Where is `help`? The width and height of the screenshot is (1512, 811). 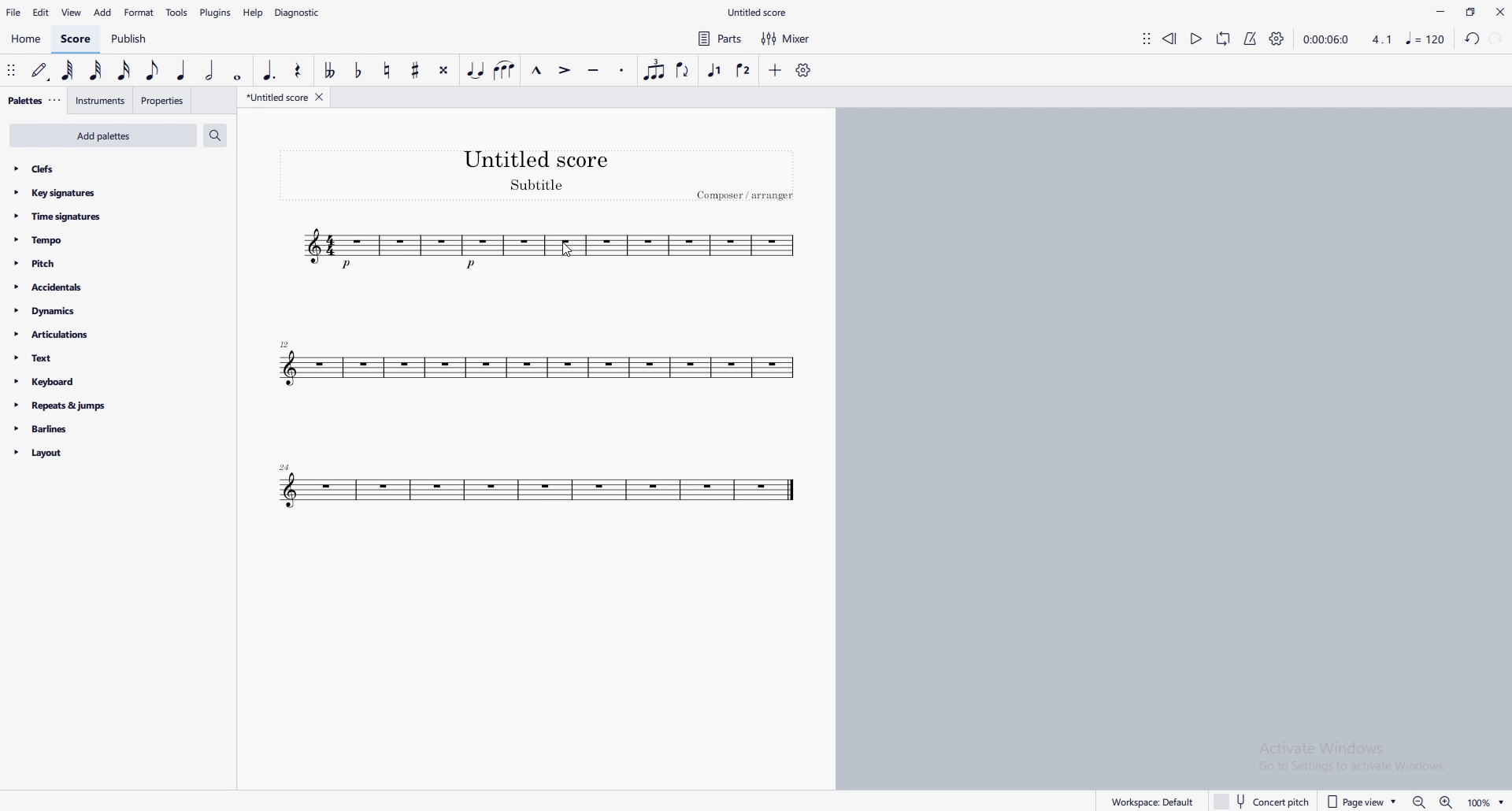 help is located at coordinates (253, 13).